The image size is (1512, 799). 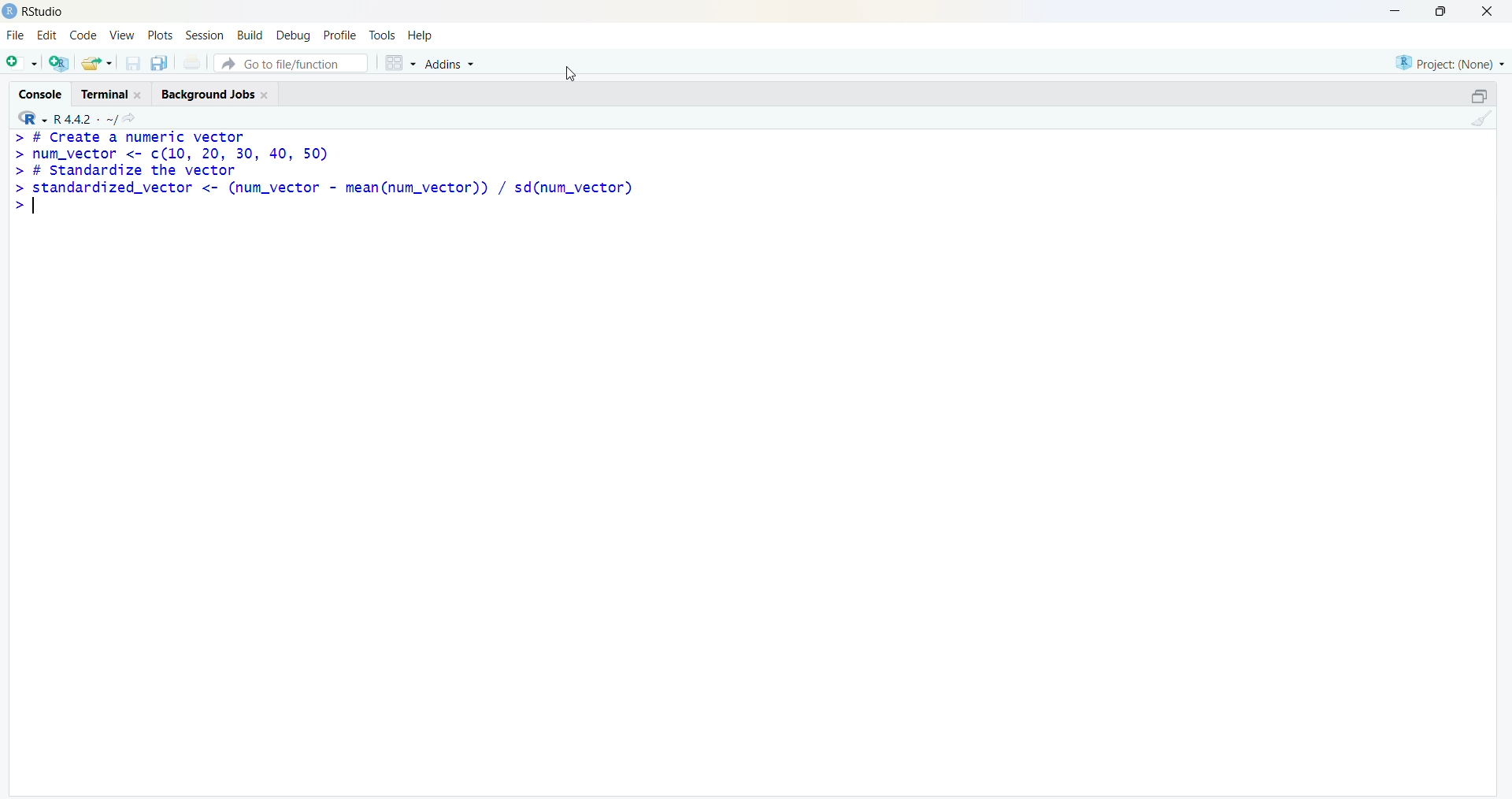 I want to click on copy, so click(x=159, y=63).